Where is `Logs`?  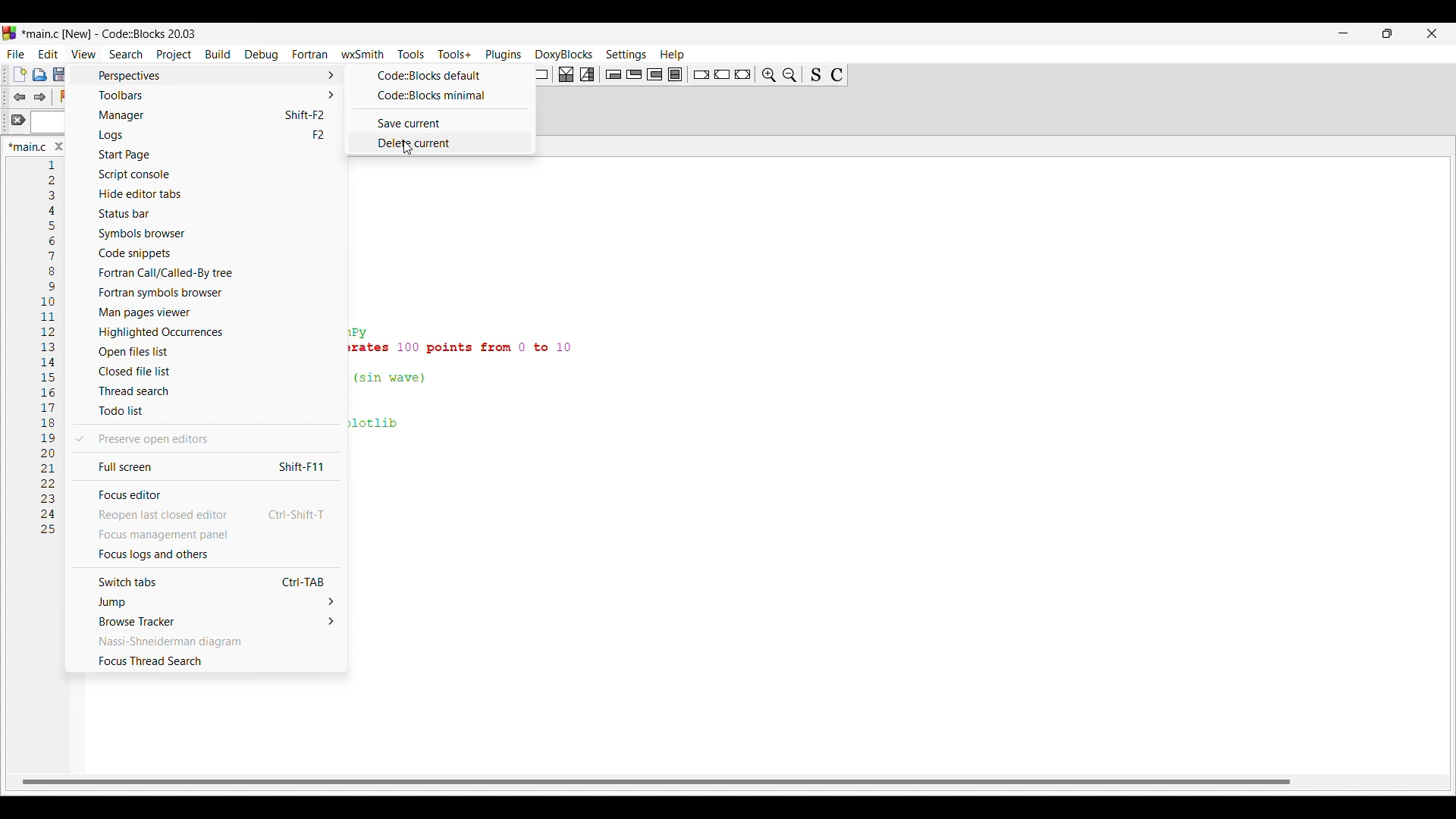 Logs is located at coordinates (210, 135).